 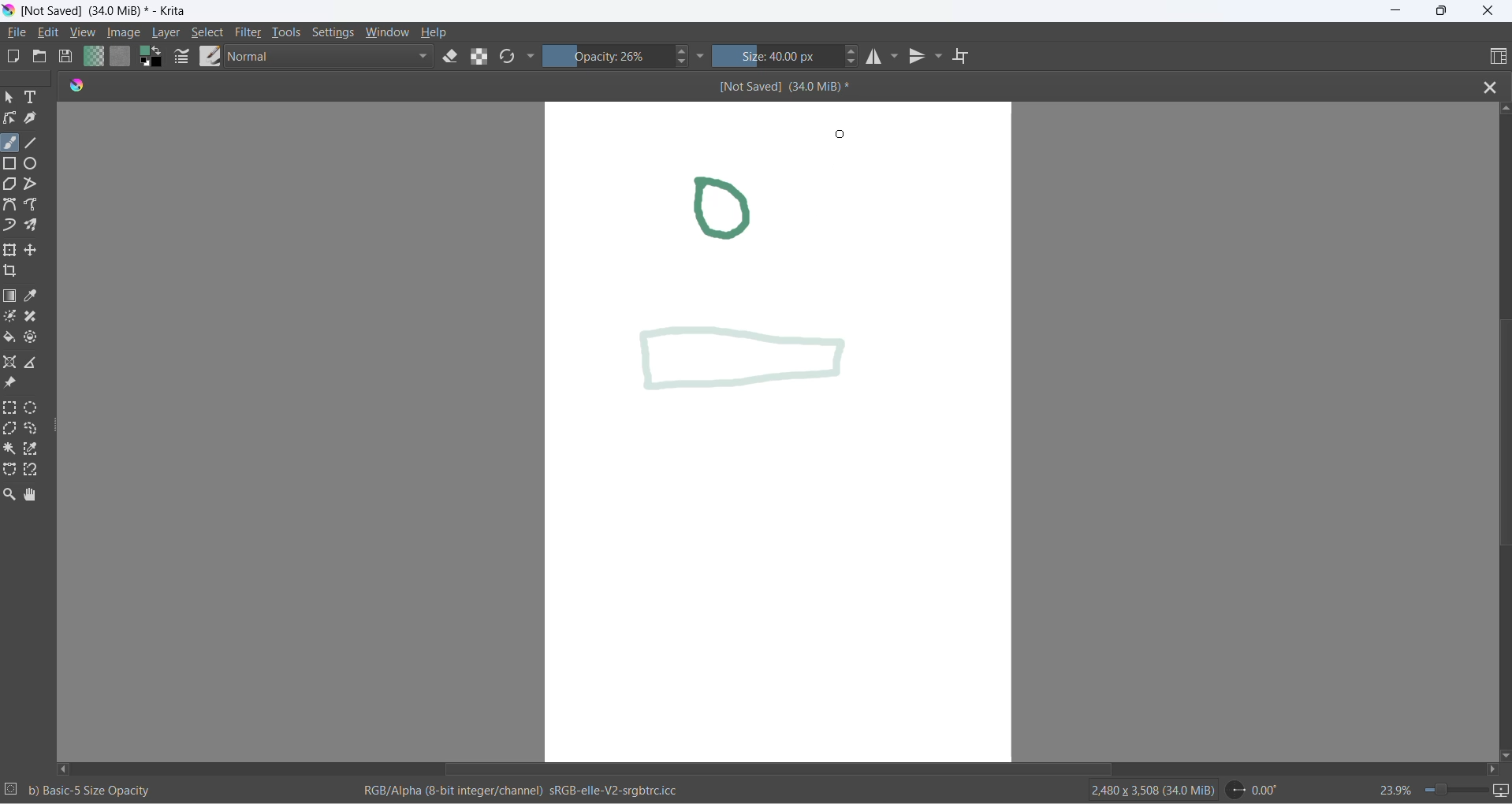 I want to click on increase opacity button, so click(x=683, y=50).